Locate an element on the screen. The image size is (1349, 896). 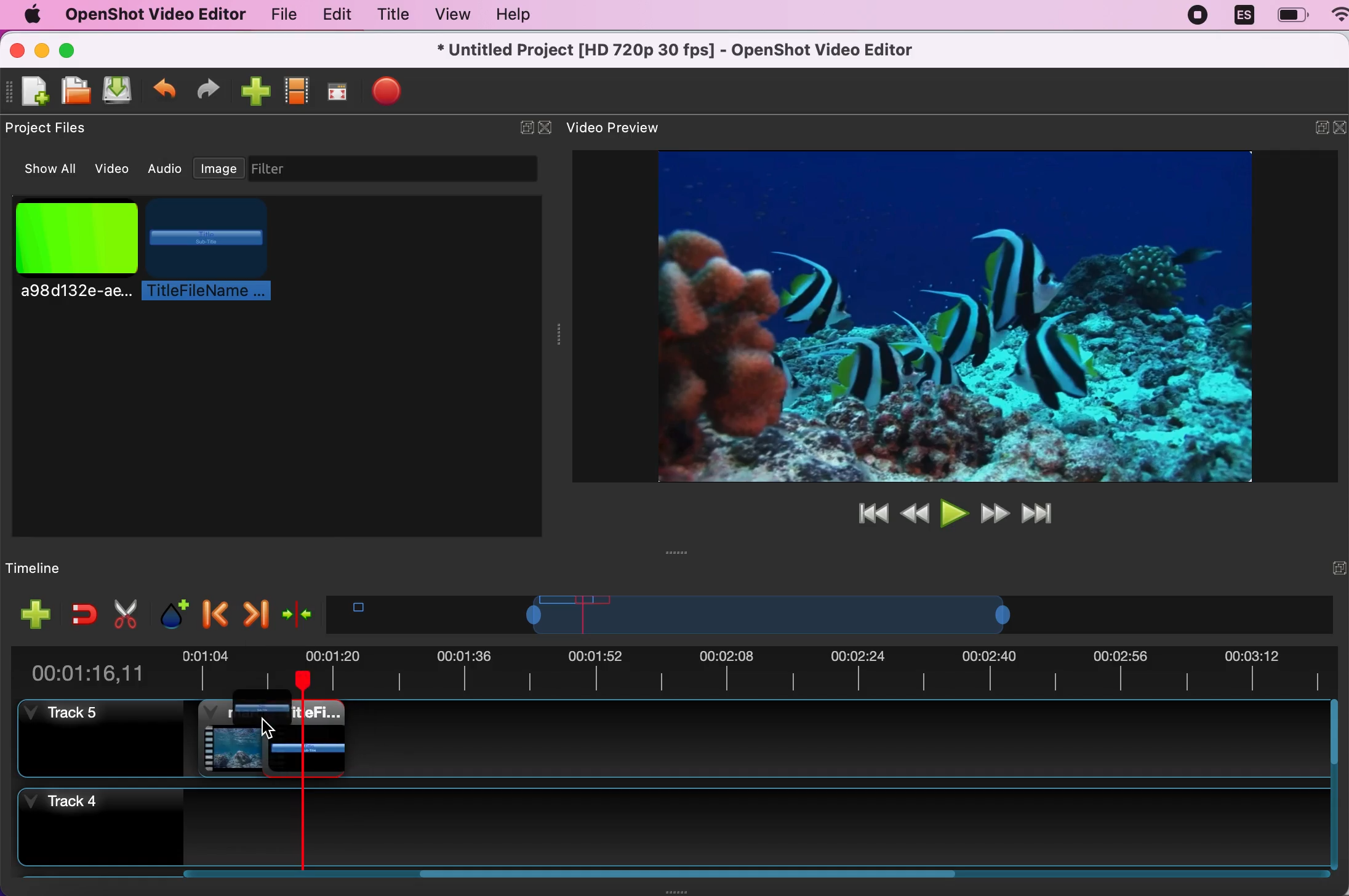
open file is located at coordinates (77, 91).